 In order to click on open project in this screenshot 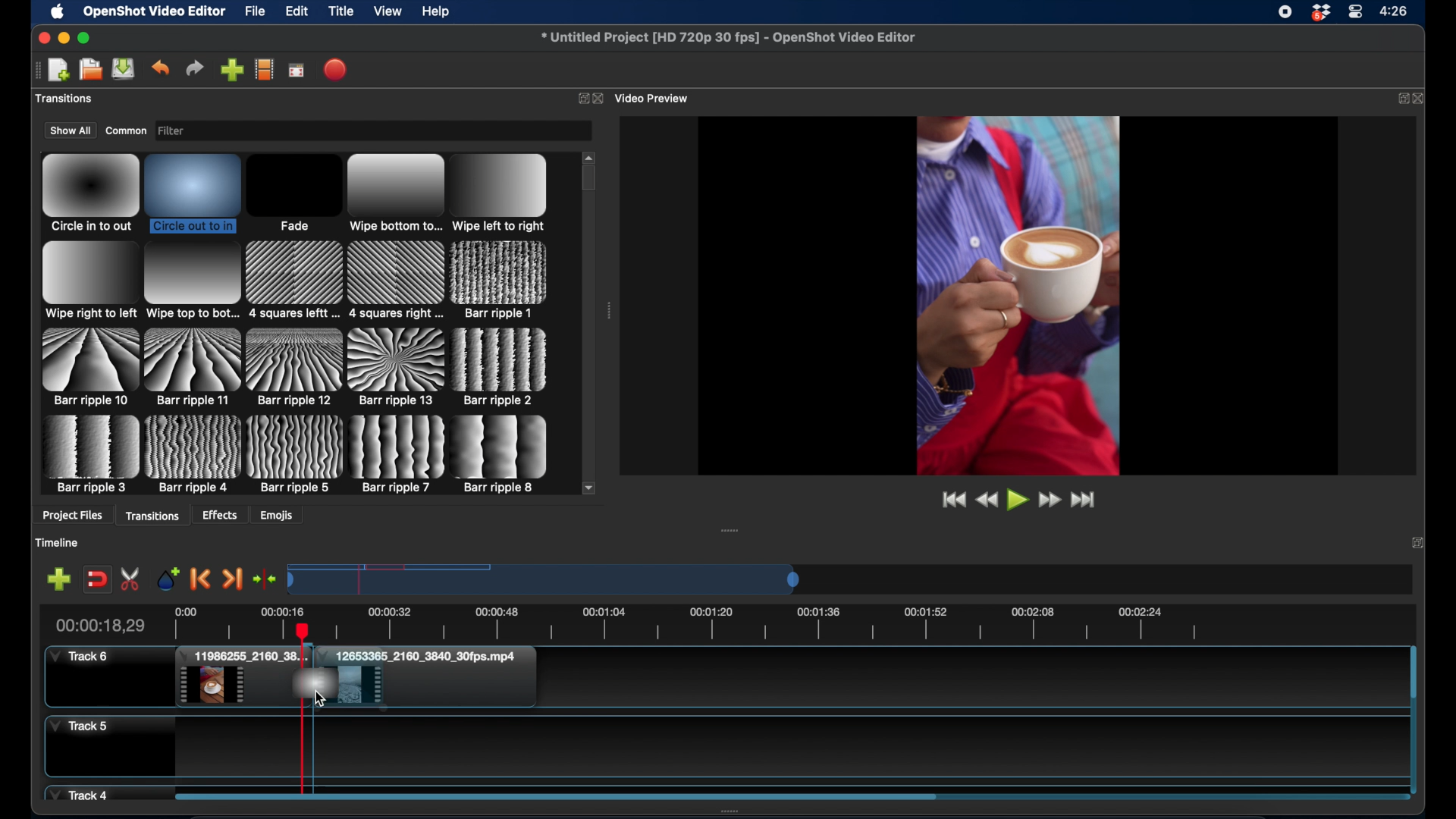, I will do `click(58, 71)`.